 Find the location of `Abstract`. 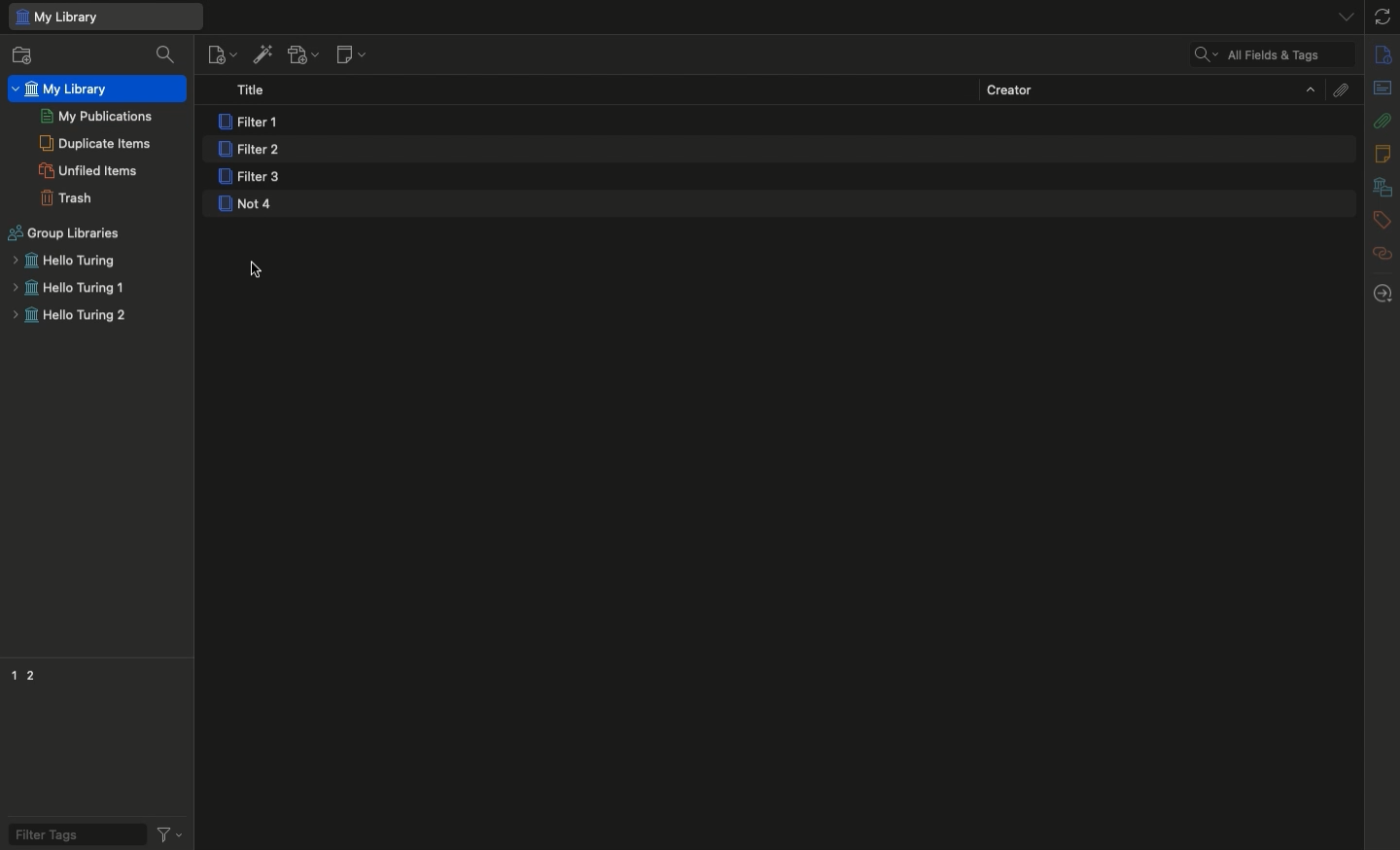

Abstract is located at coordinates (1382, 89).